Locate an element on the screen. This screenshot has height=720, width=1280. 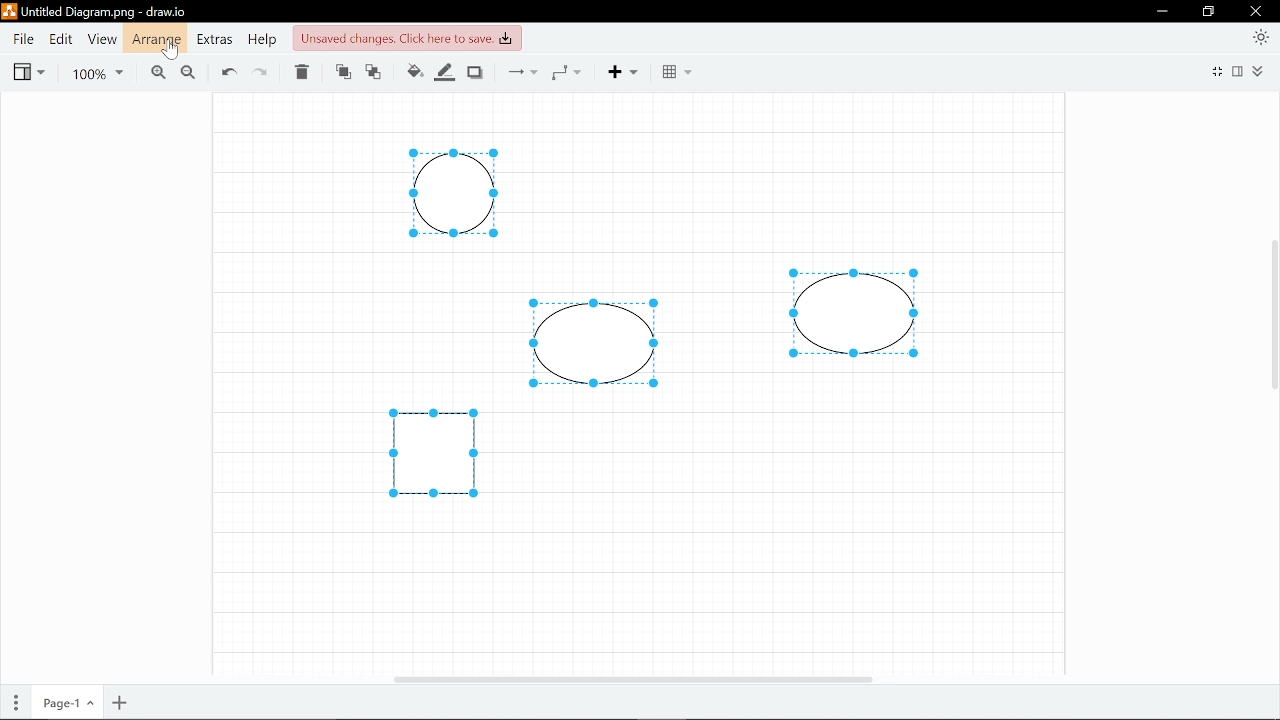
Undo is located at coordinates (228, 71).